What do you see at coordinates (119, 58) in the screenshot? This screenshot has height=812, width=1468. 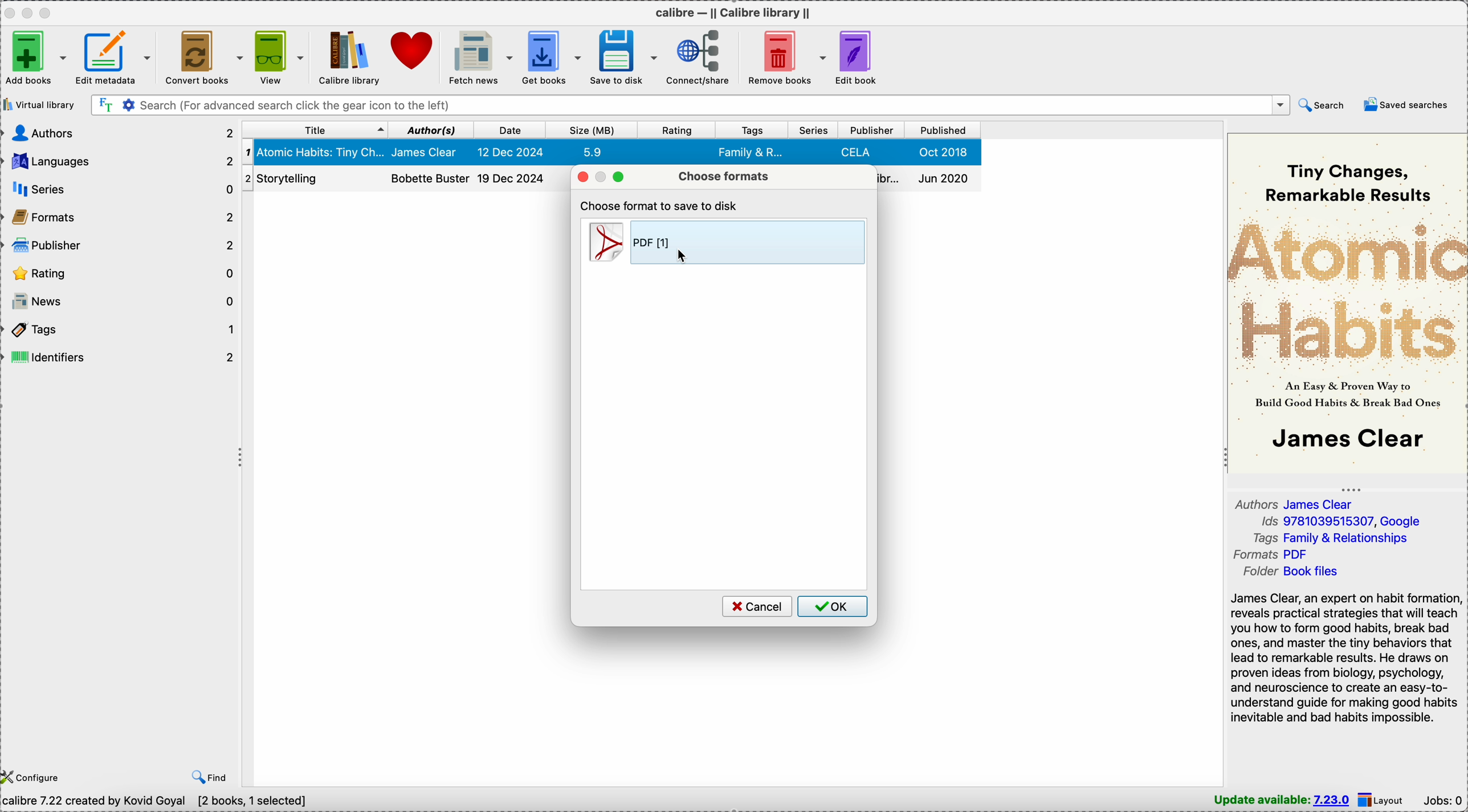 I see `edit metadata` at bounding box center [119, 58].